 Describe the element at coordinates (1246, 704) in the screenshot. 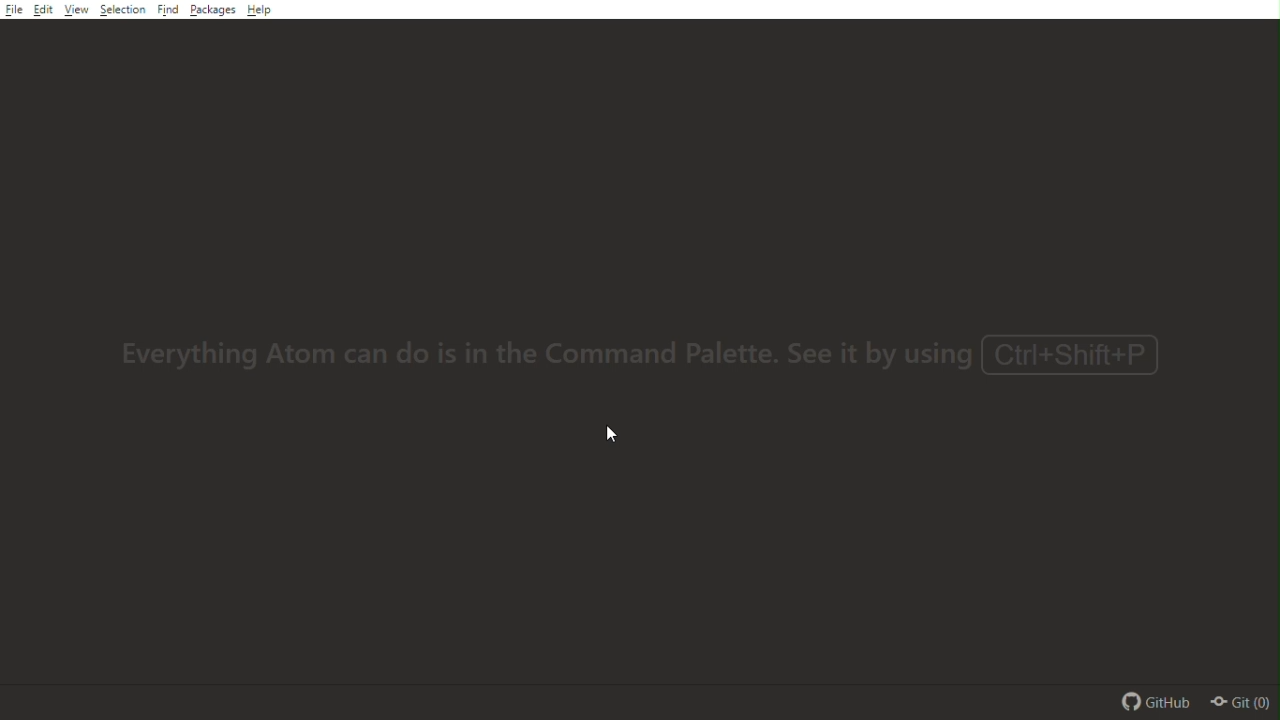

I see `git` at that location.